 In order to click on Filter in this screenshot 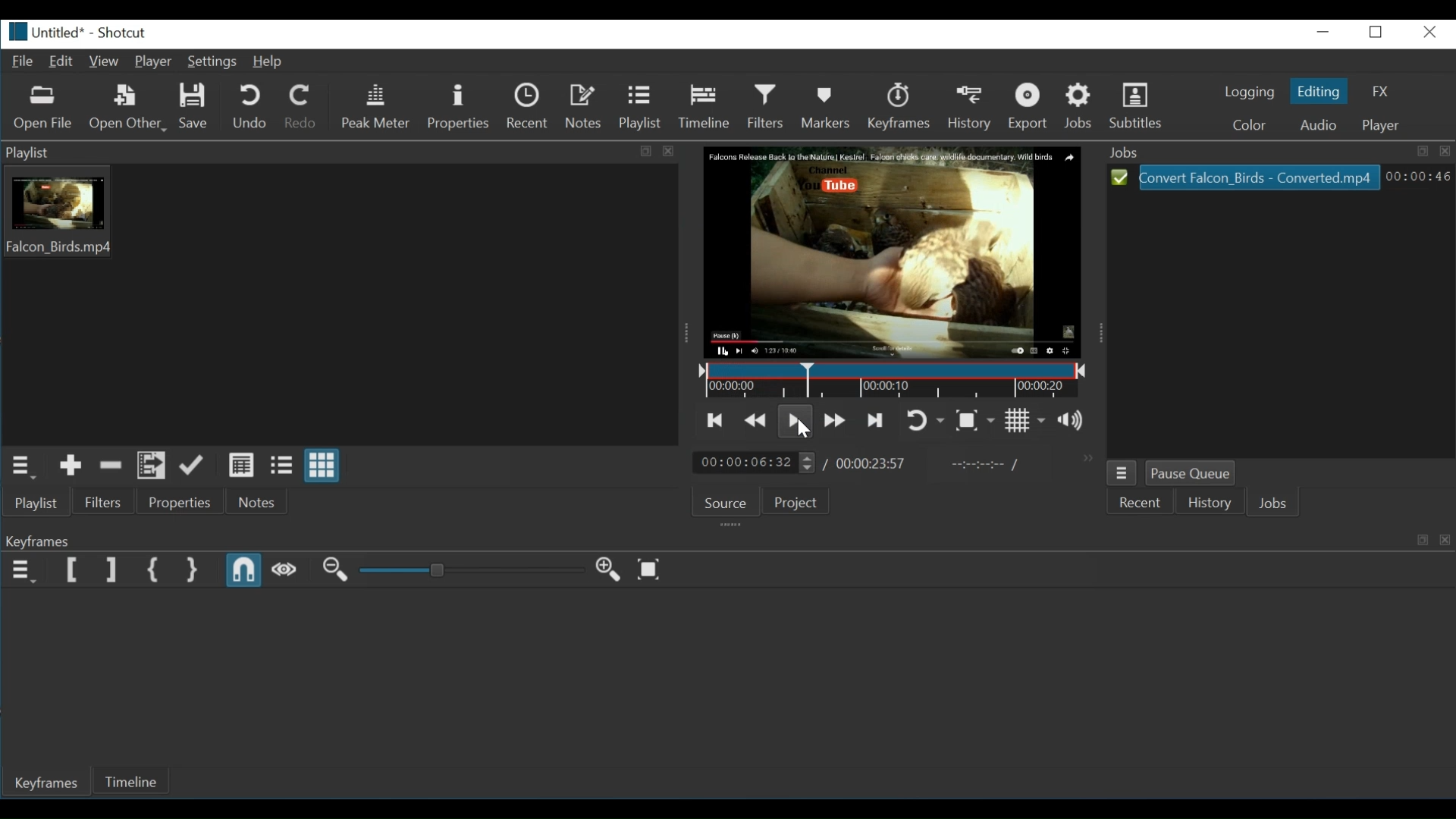, I will do `click(106, 500)`.